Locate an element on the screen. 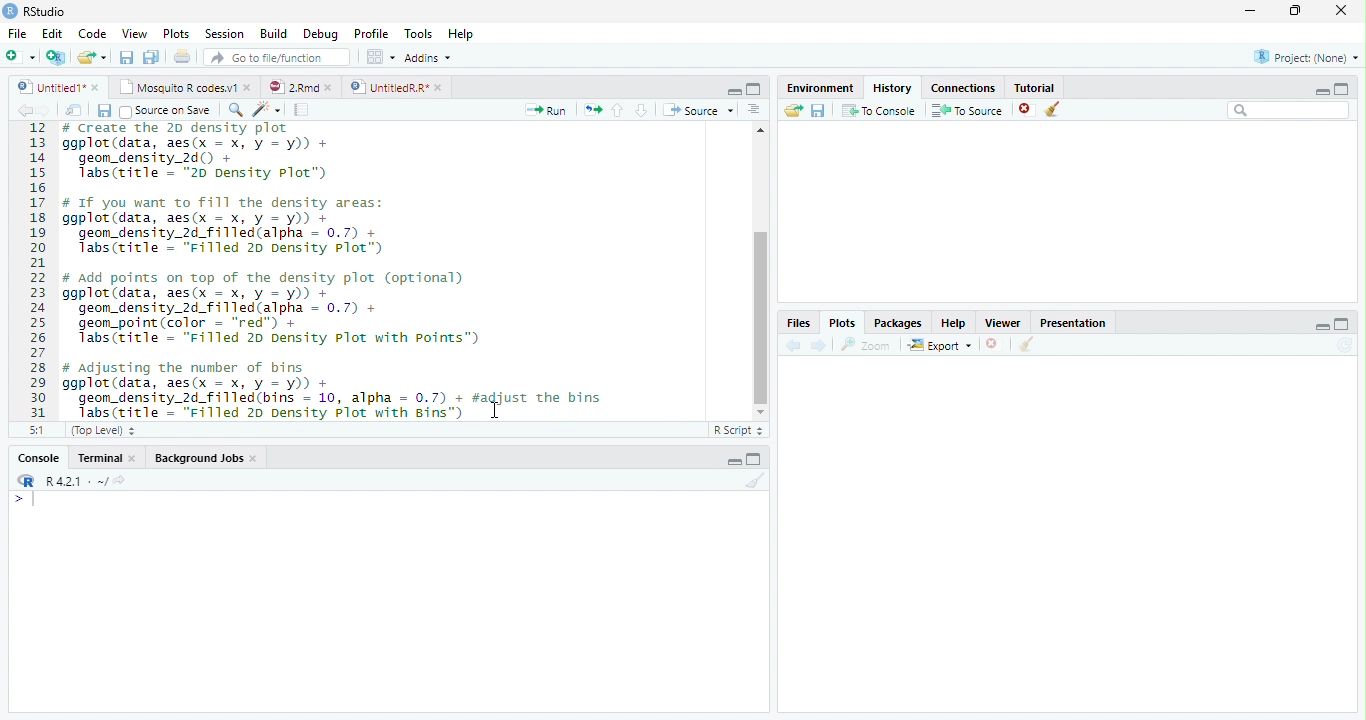 This screenshot has width=1366, height=720. minimize is located at coordinates (1319, 91).